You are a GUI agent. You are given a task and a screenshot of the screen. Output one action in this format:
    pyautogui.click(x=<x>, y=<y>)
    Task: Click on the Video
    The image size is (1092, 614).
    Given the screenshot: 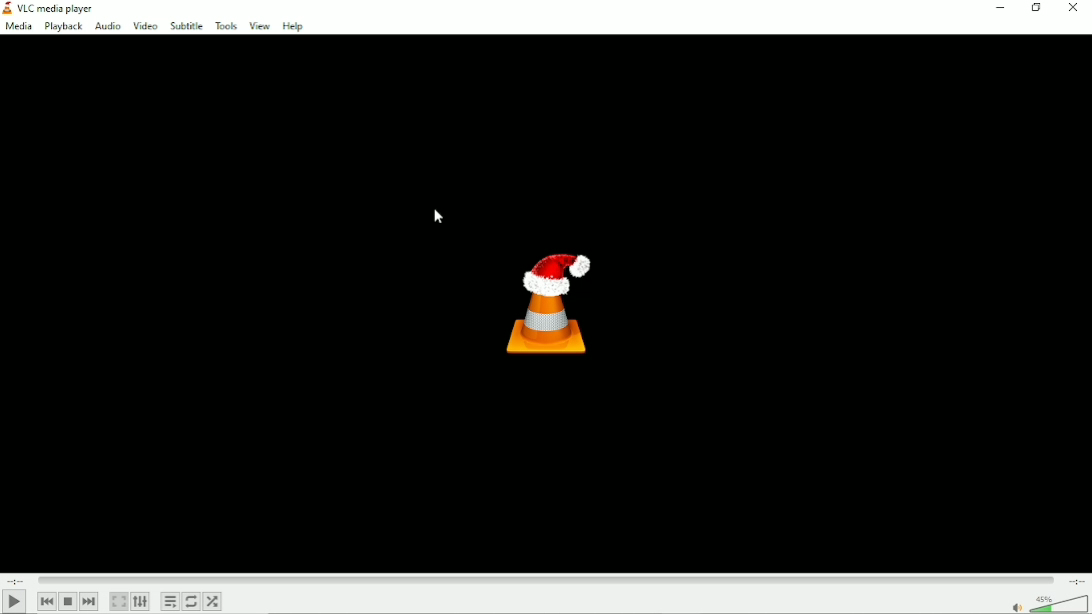 What is the action you would take?
    pyautogui.click(x=145, y=25)
    